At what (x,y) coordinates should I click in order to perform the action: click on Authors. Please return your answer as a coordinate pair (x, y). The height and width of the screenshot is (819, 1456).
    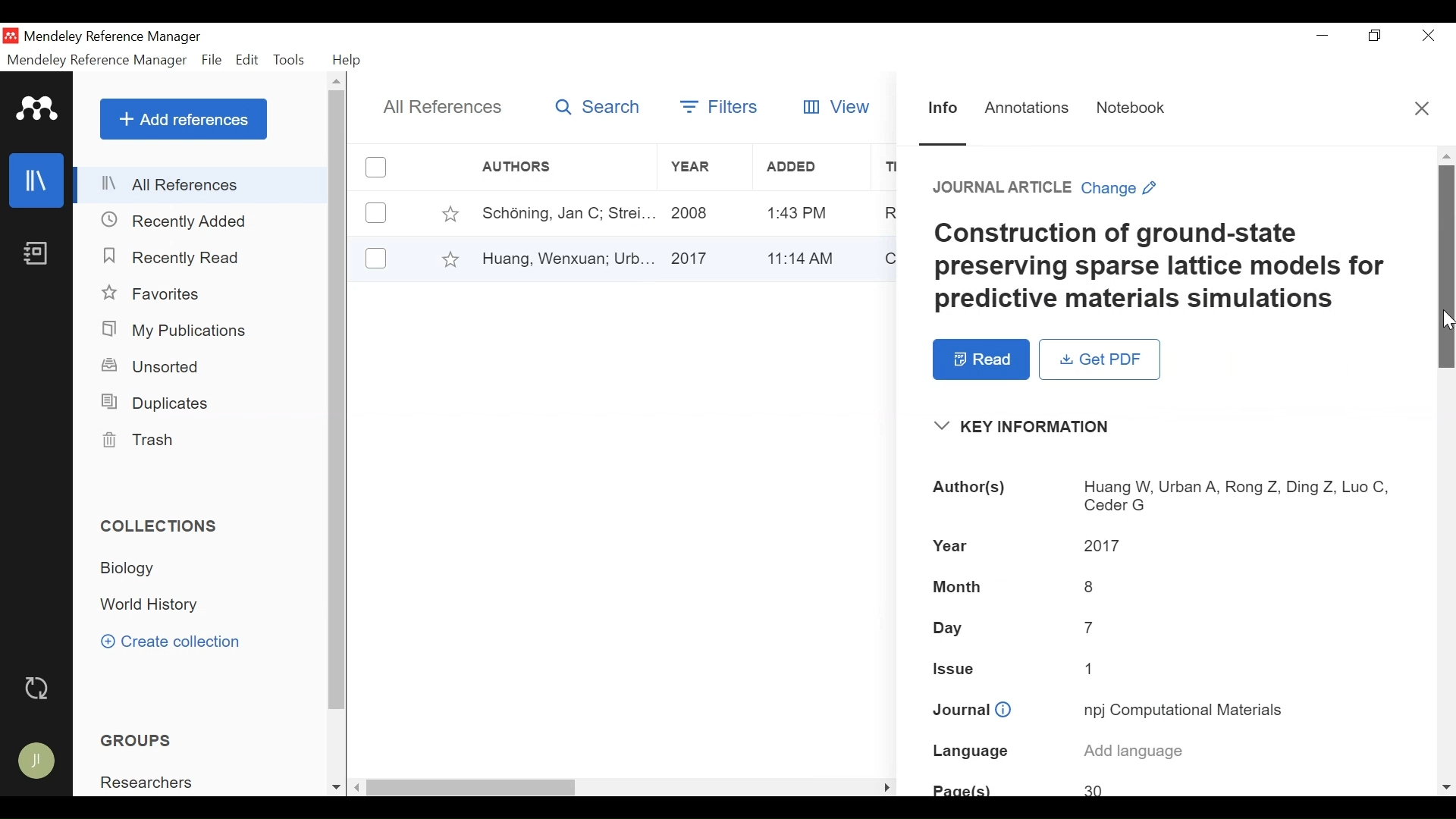
    Looking at the image, I should click on (1167, 496).